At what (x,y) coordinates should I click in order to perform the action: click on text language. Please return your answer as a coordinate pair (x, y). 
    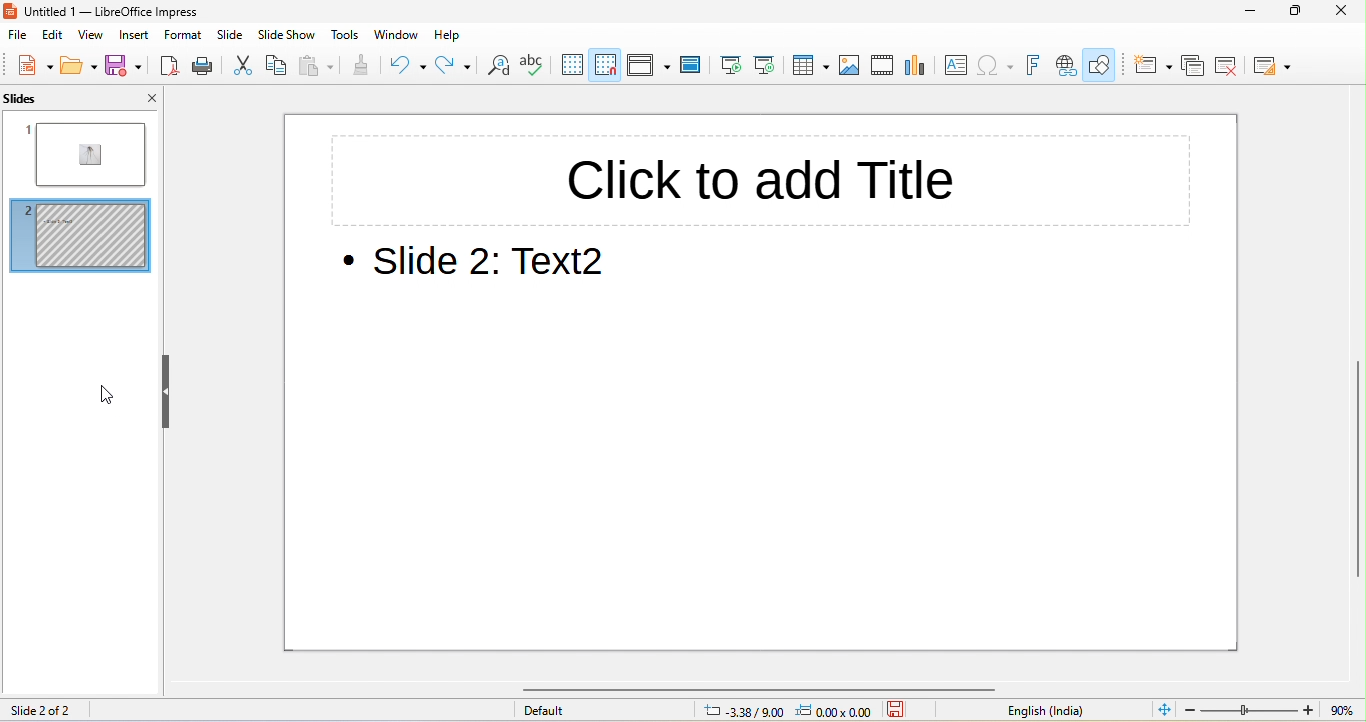
    Looking at the image, I should click on (1036, 710).